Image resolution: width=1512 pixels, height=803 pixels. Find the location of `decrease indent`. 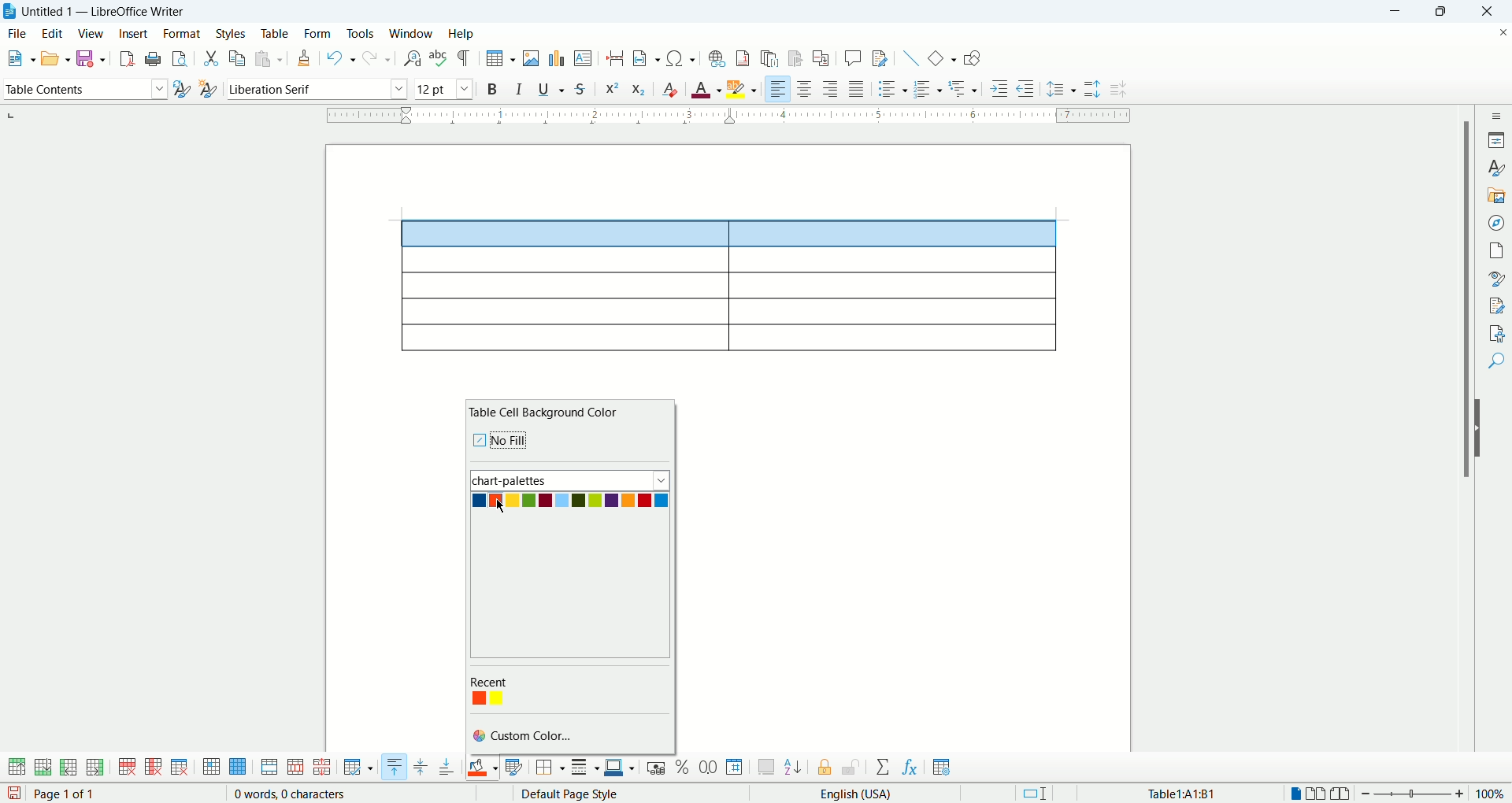

decrease indent is located at coordinates (1025, 87).